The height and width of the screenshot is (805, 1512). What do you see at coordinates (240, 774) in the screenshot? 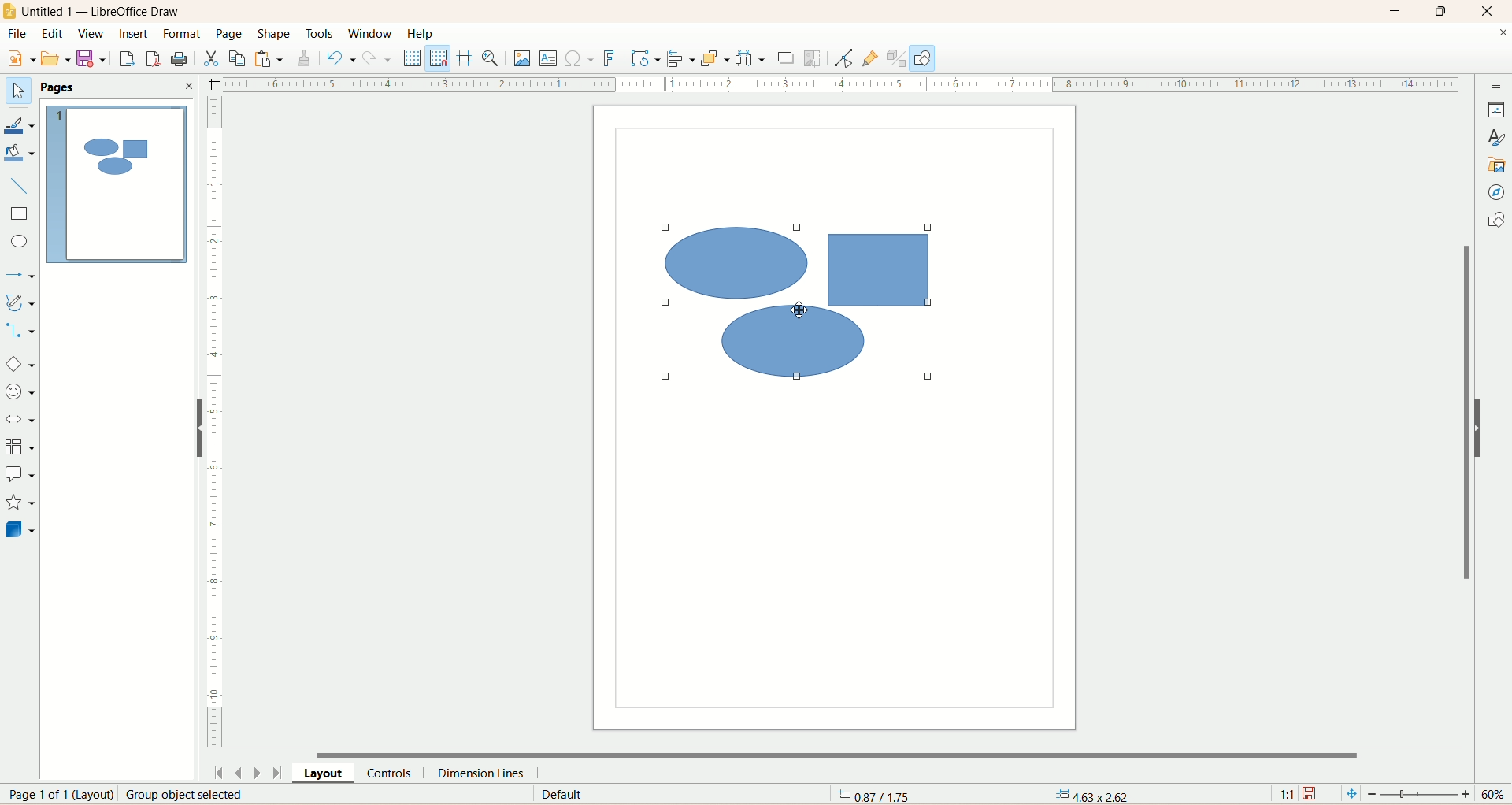
I see `previous` at bounding box center [240, 774].